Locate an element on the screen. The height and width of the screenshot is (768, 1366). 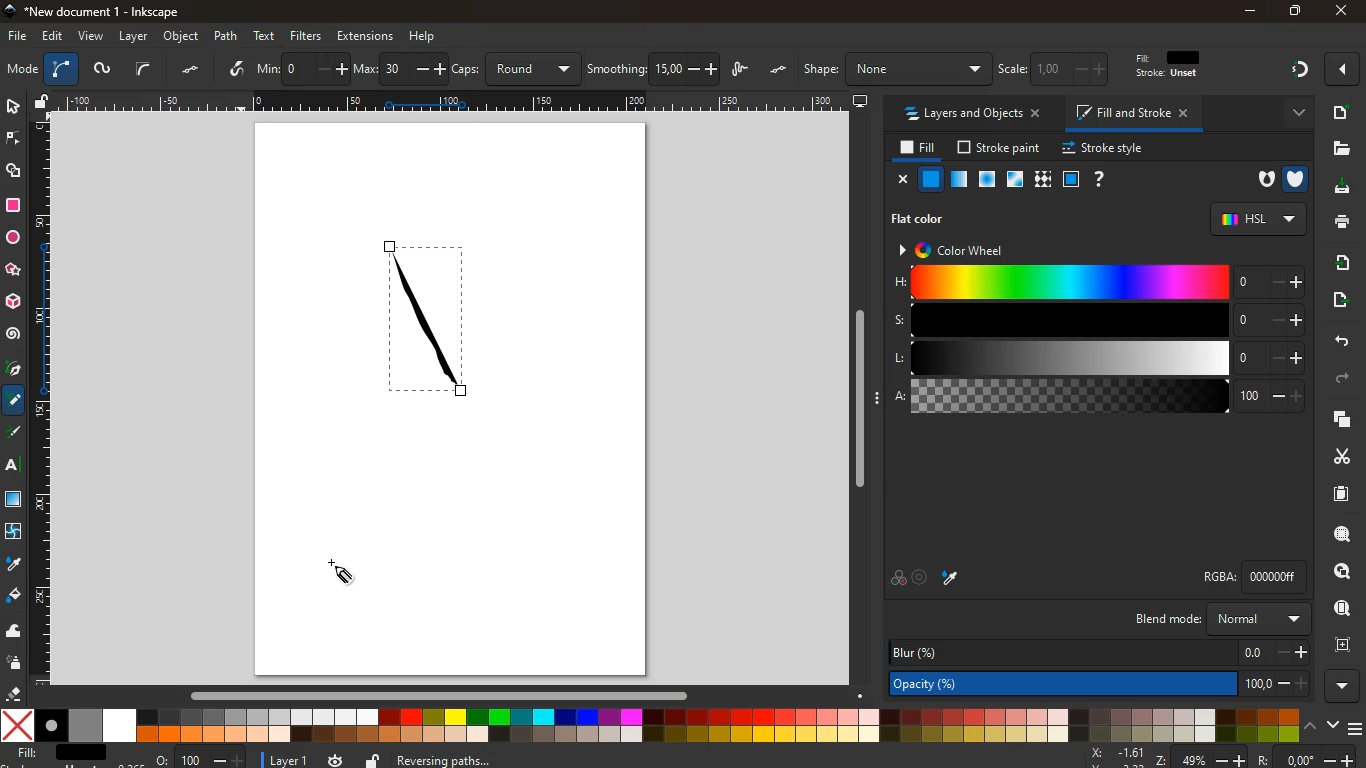
twist is located at coordinates (12, 534).